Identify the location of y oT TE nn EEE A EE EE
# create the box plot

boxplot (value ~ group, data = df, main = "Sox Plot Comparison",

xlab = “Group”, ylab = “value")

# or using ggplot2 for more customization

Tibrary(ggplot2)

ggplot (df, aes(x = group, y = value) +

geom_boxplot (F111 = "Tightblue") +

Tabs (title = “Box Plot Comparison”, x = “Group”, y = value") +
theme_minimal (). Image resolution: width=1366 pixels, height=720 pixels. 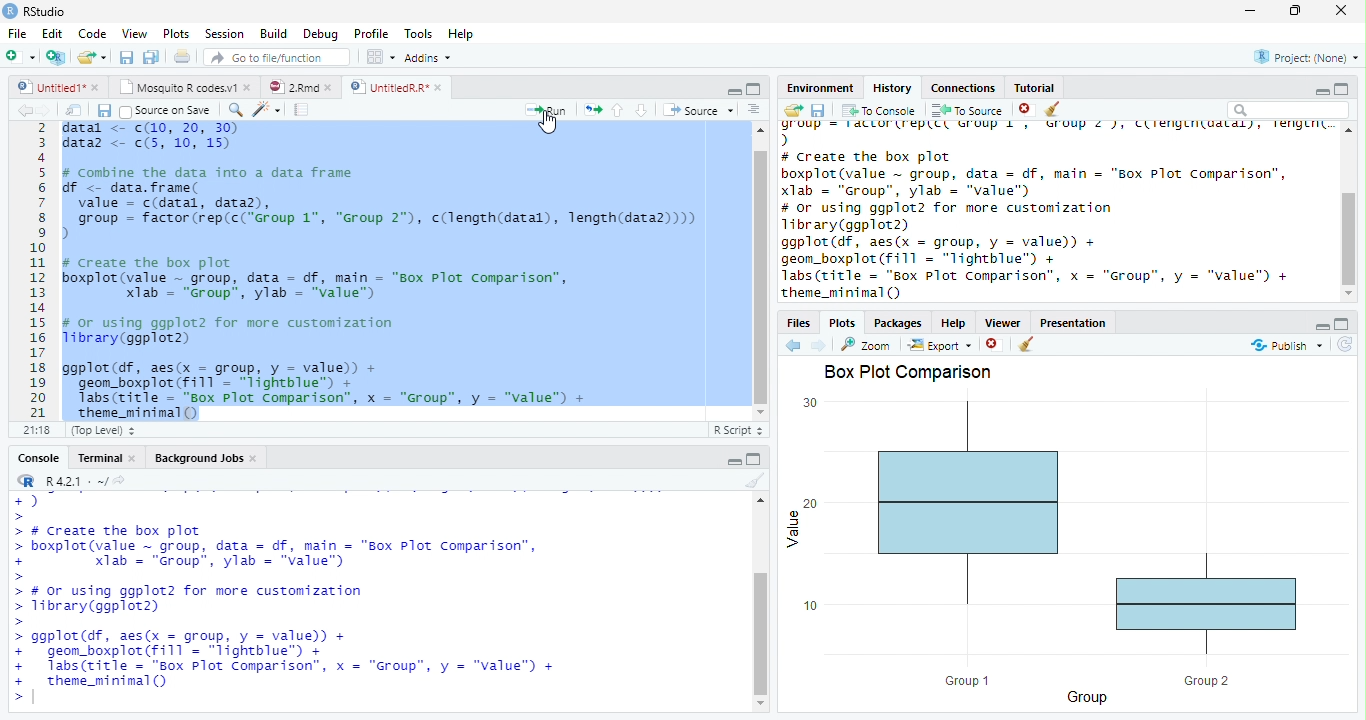
(1056, 211).